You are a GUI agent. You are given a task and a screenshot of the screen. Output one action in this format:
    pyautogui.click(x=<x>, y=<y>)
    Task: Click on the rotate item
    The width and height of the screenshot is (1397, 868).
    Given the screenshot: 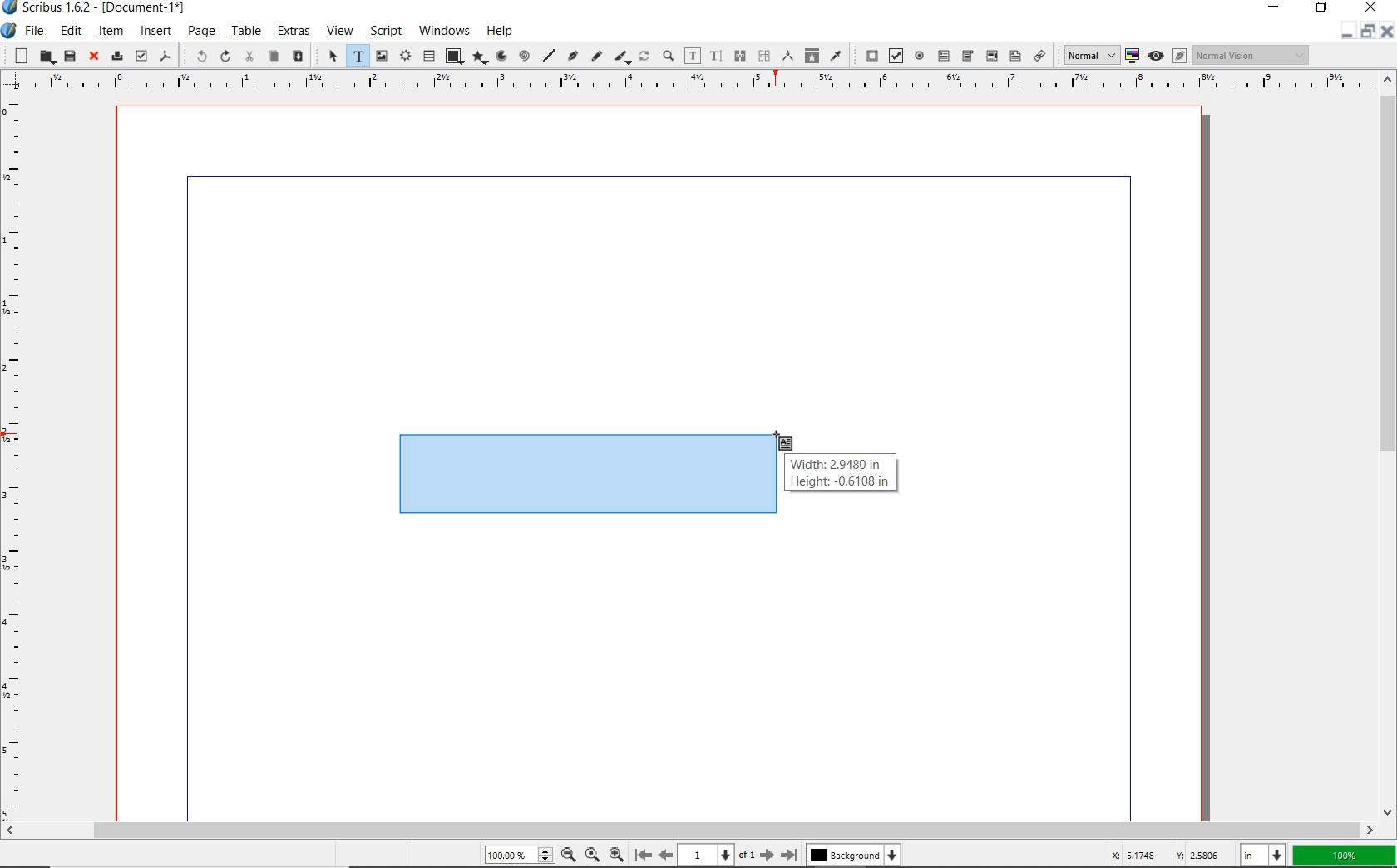 What is the action you would take?
    pyautogui.click(x=644, y=57)
    